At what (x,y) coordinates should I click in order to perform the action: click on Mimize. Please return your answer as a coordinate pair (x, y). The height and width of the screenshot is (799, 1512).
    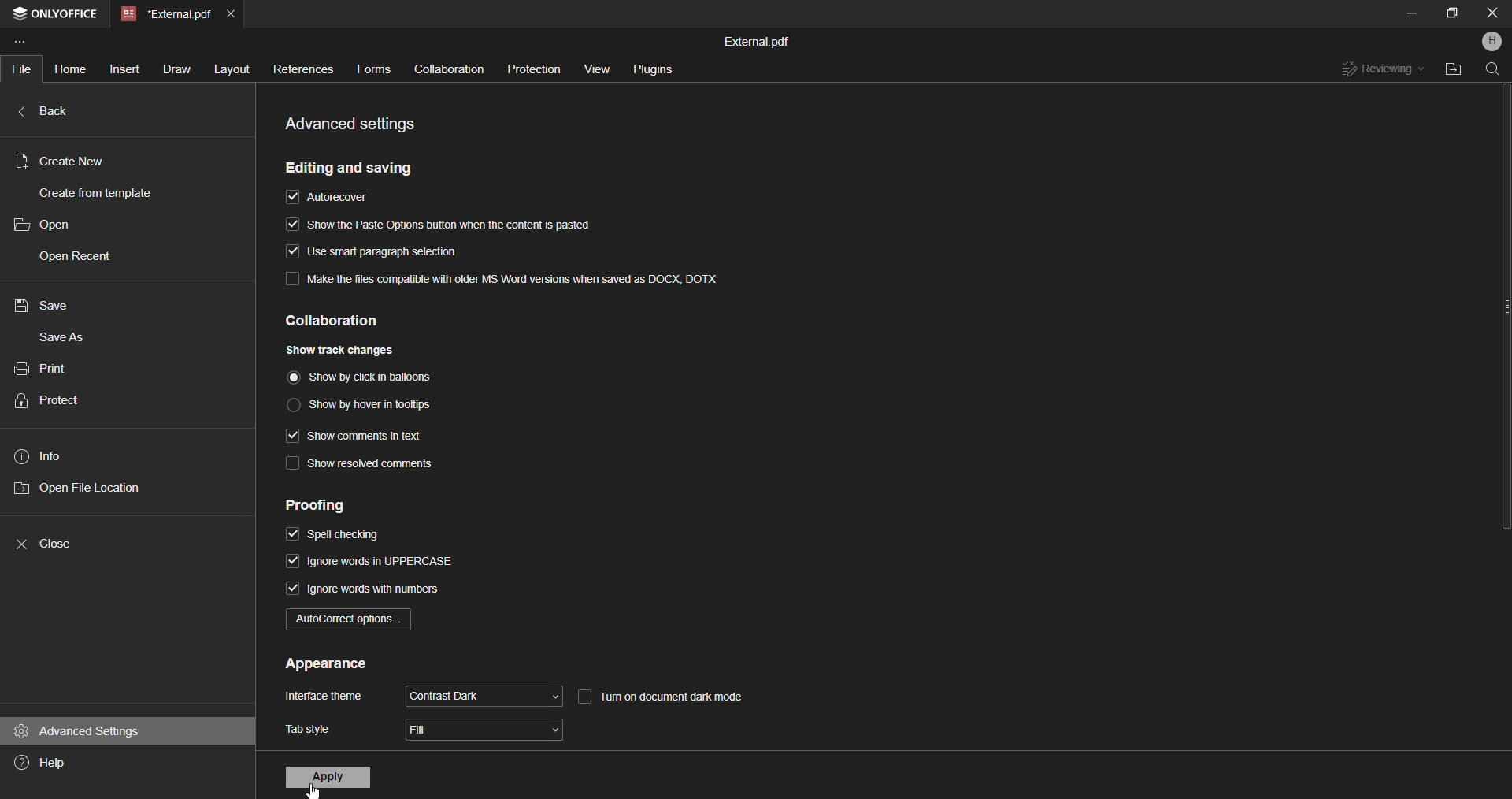
    Looking at the image, I should click on (1412, 13).